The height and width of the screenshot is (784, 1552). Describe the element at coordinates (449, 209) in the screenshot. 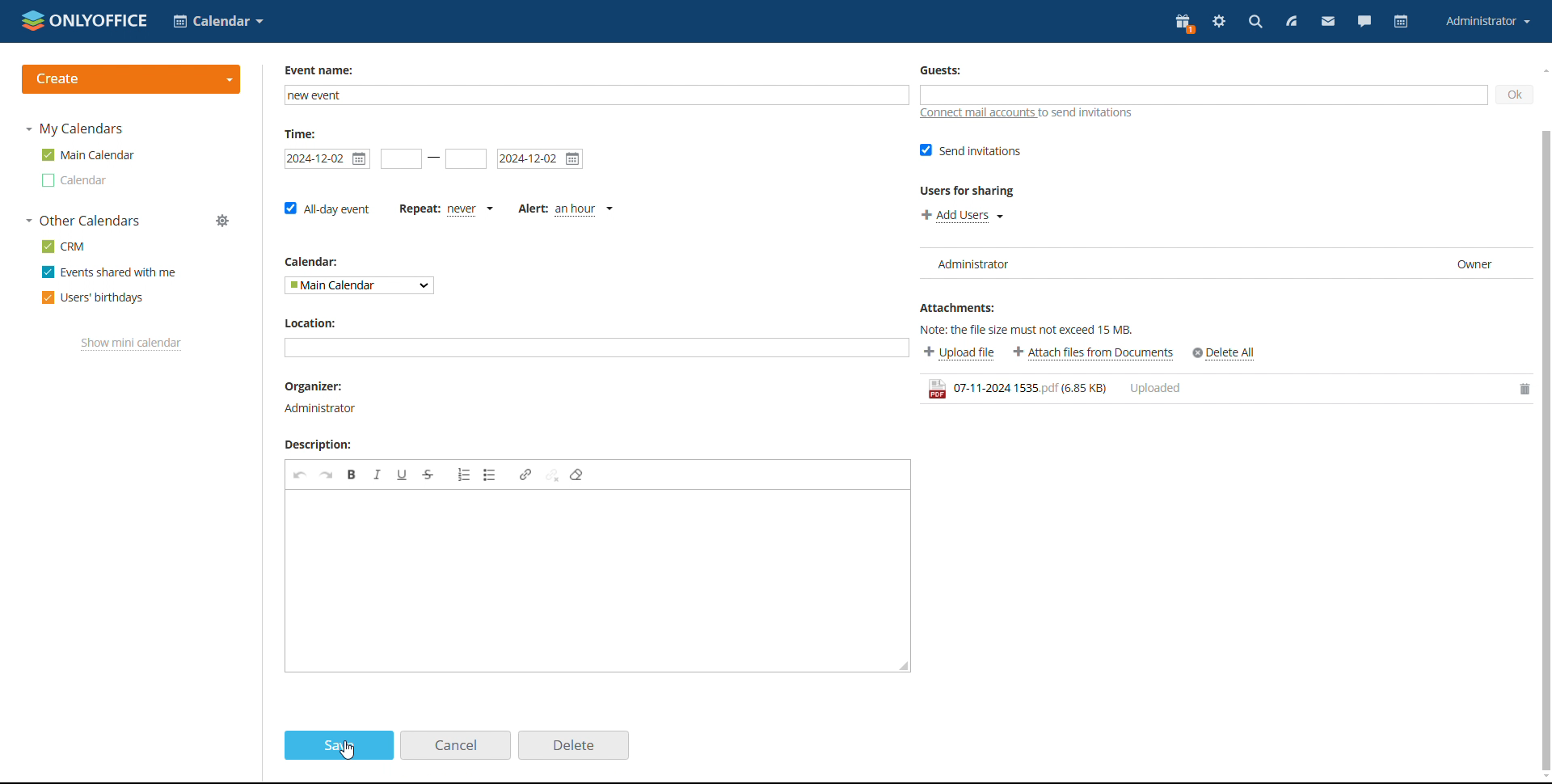

I see `set repetition` at that location.